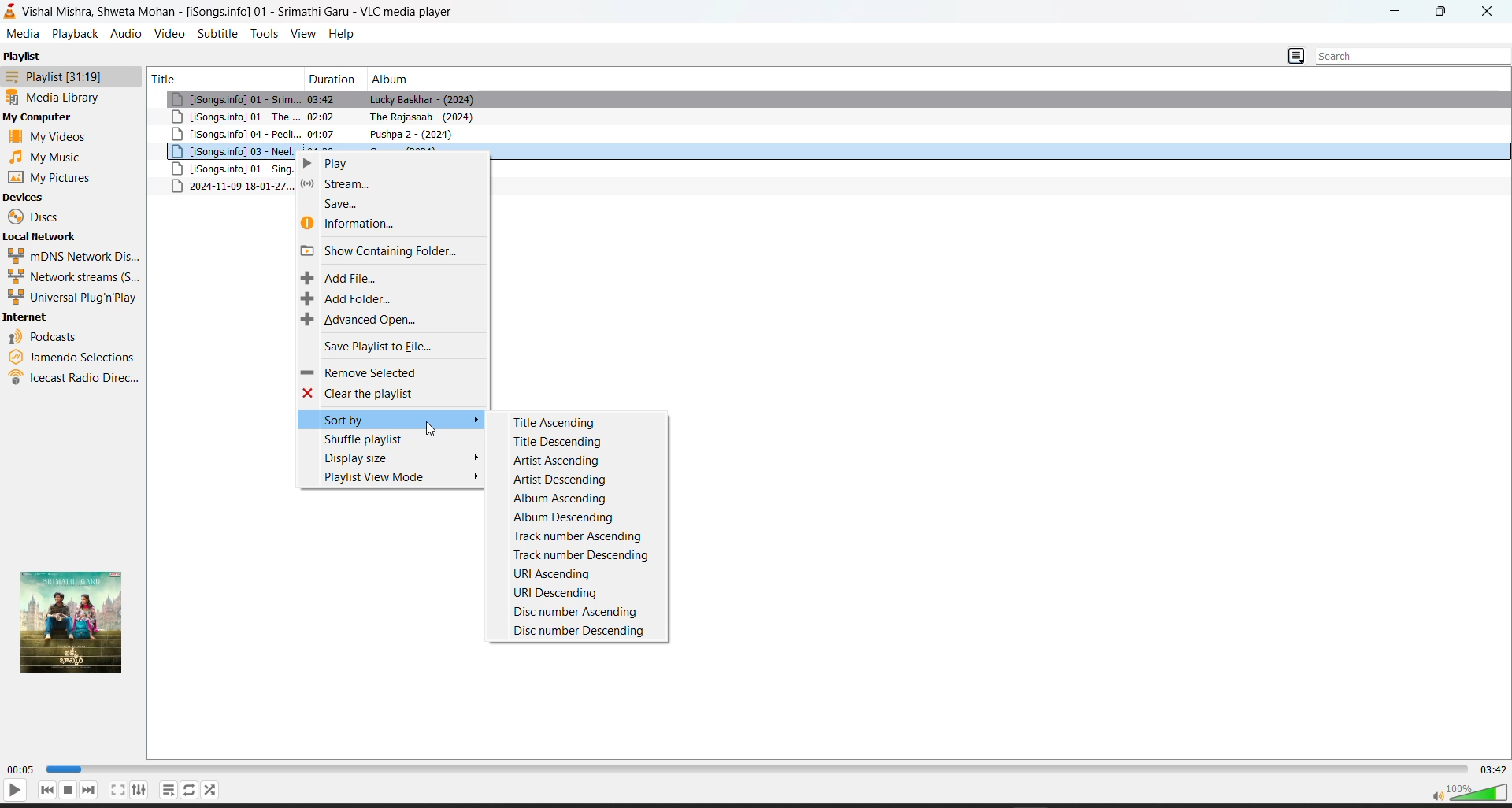 Image resolution: width=1512 pixels, height=808 pixels. I want to click on song, so click(828, 117).